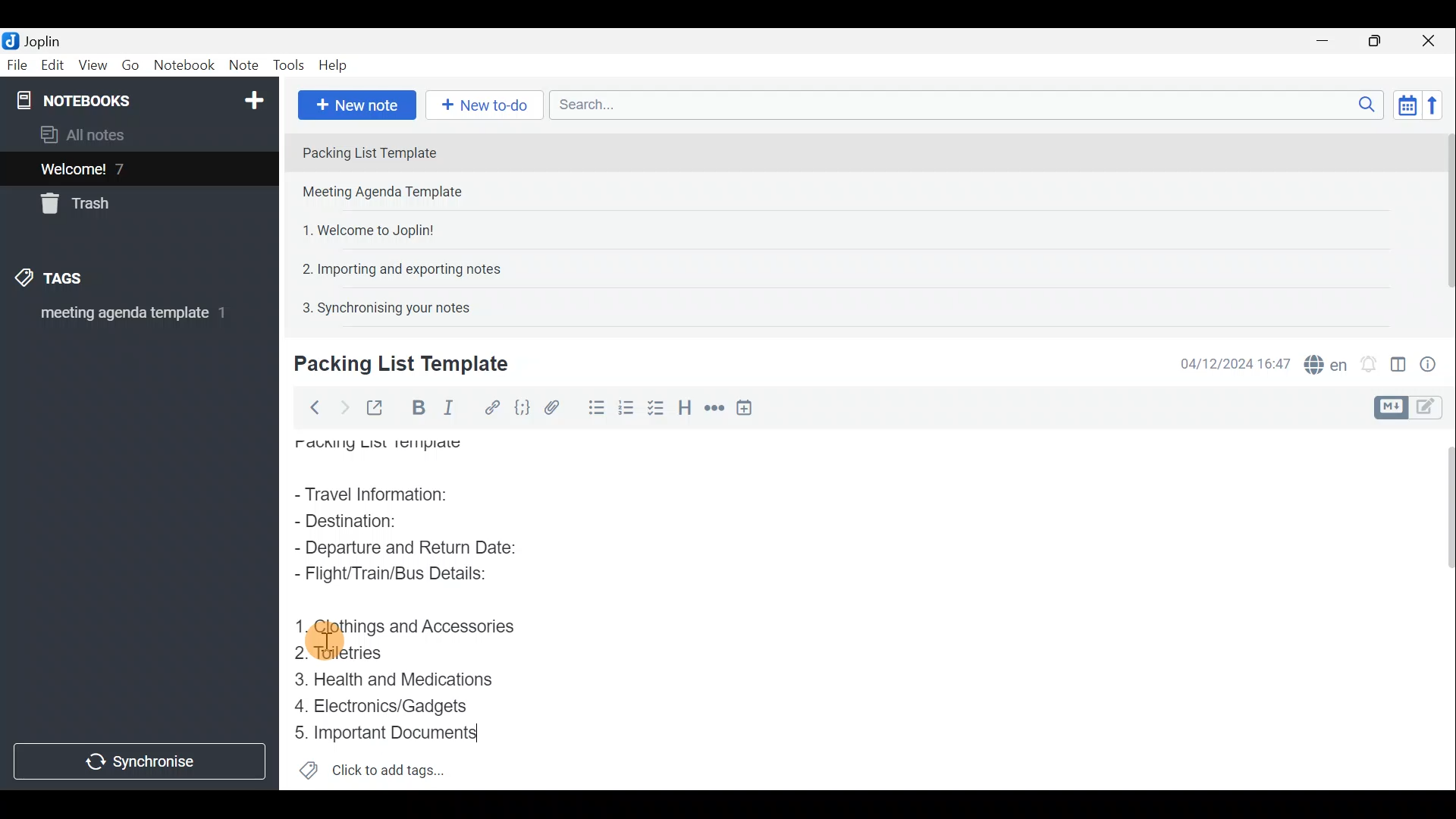 The image size is (1456, 819). What do you see at coordinates (290, 66) in the screenshot?
I see `Tools` at bounding box center [290, 66].